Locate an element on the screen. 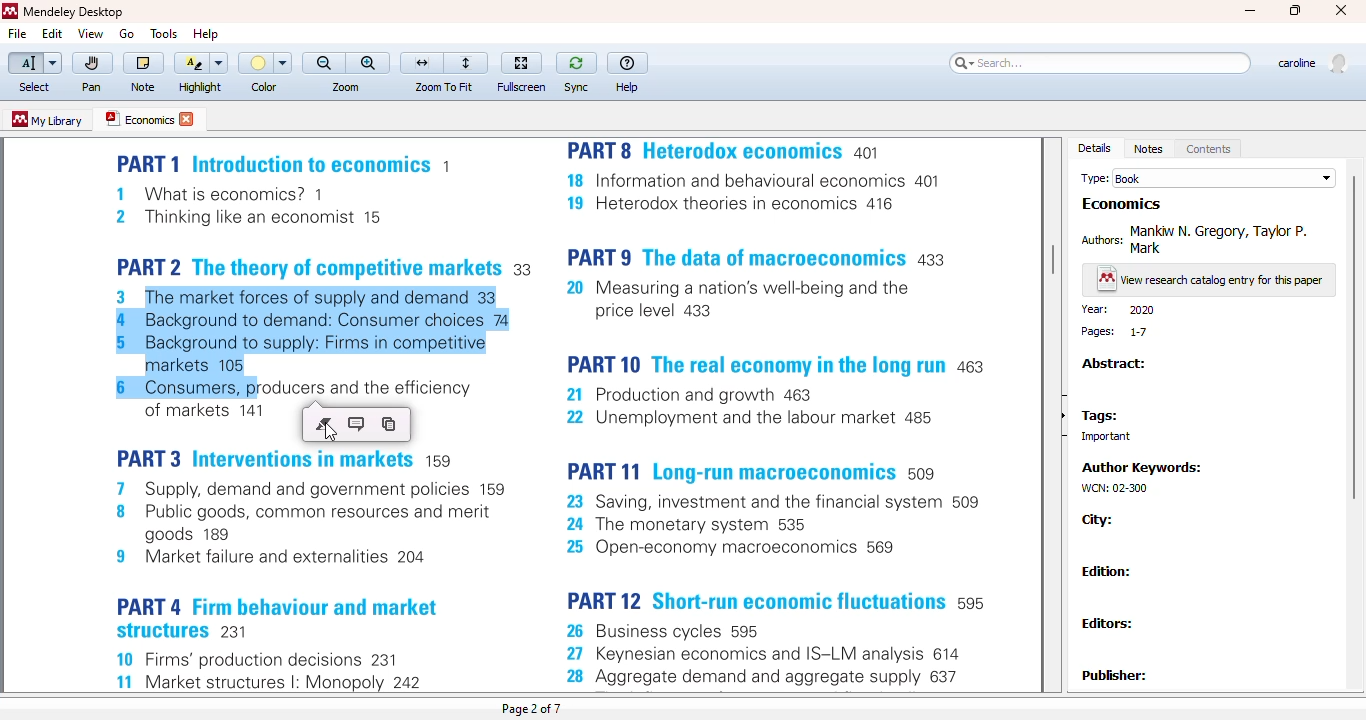  copy the selected text to the clipboard is located at coordinates (388, 423).